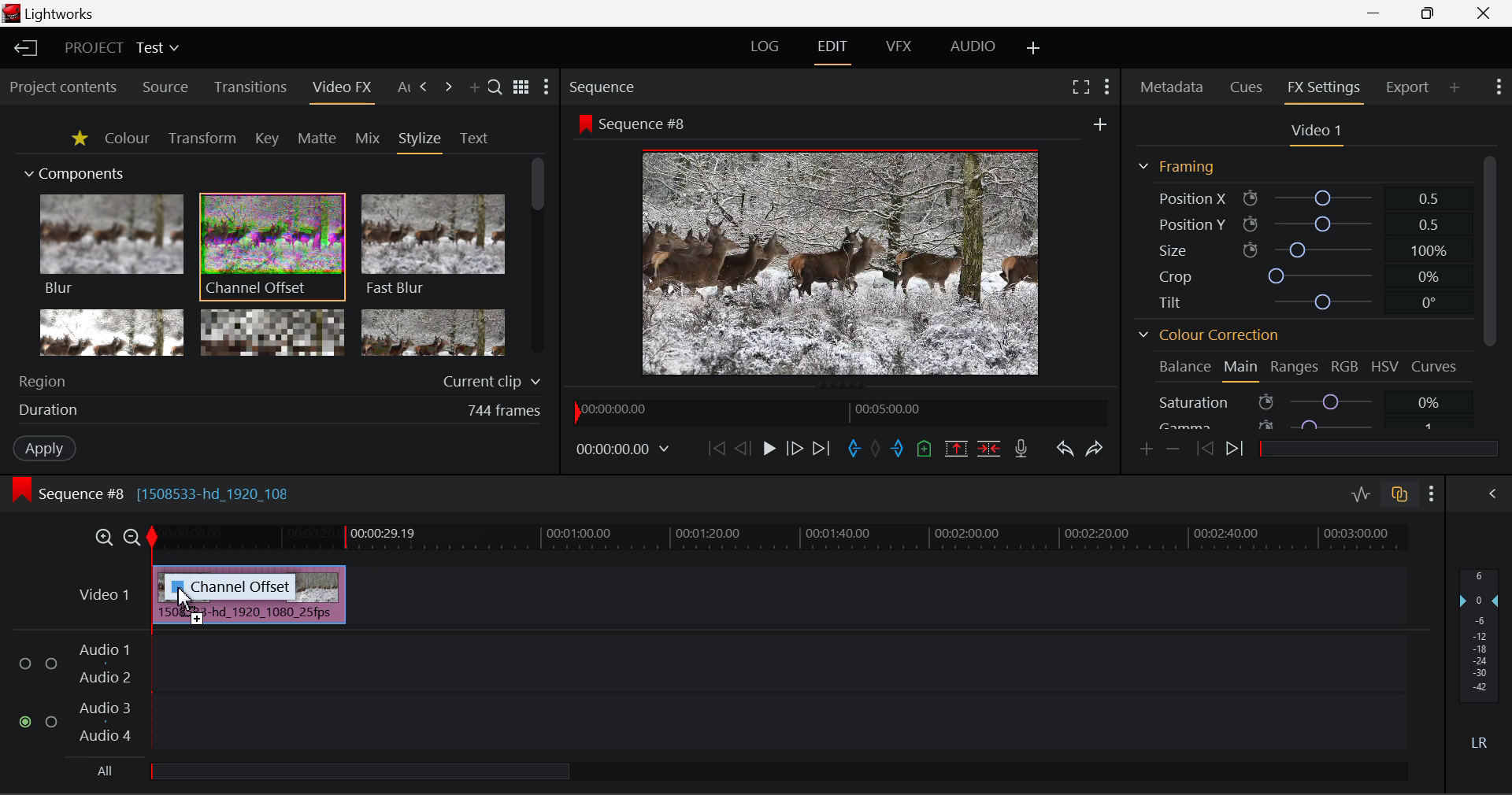 The height and width of the screenshot is (795, 1512). What do you see at coordinates (79, 140) in the screenshot?
I see `Favorites` at bounding box center [79, 140].